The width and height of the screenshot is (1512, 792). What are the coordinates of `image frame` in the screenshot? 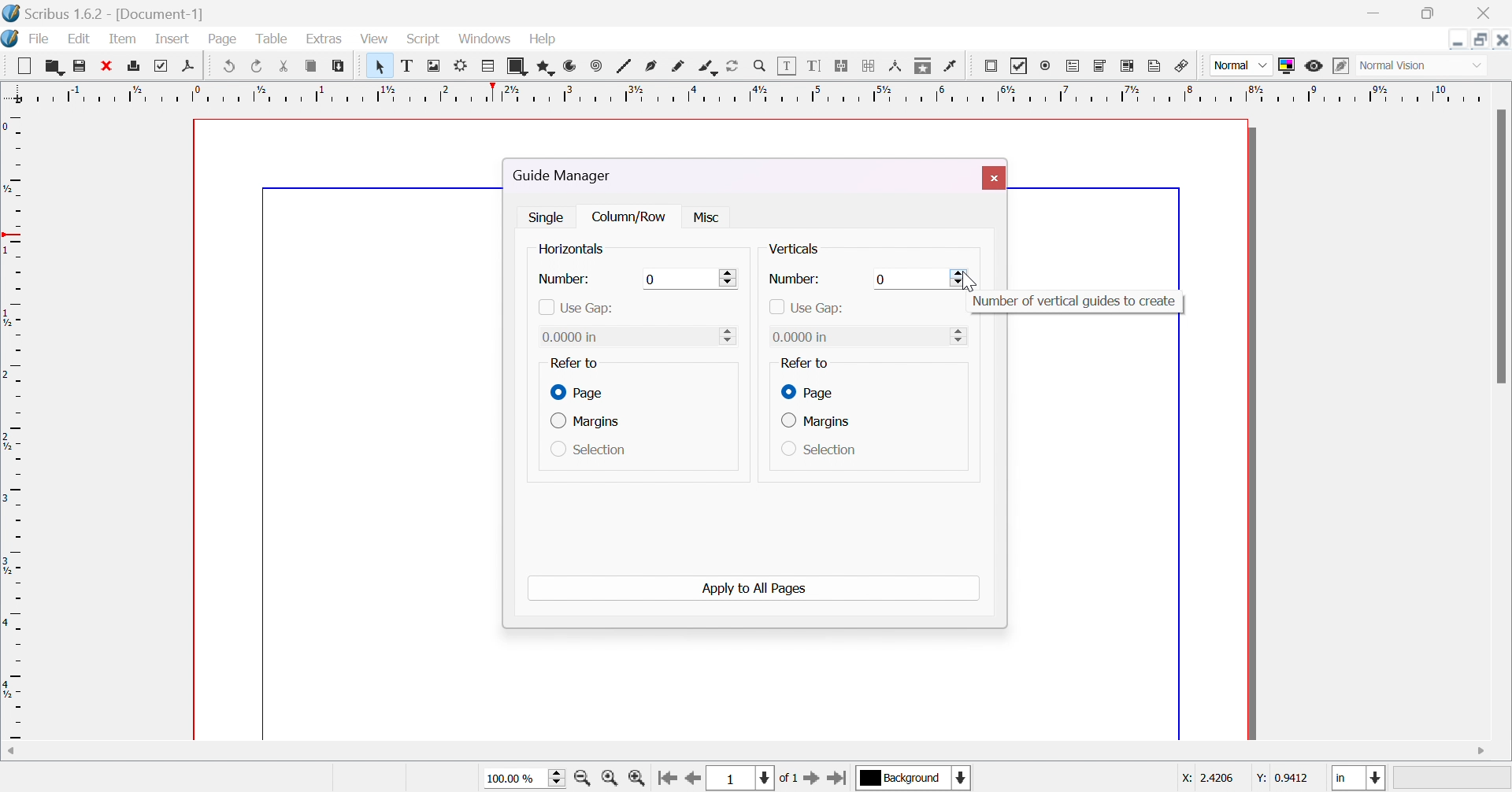 It's located at (437, 67).